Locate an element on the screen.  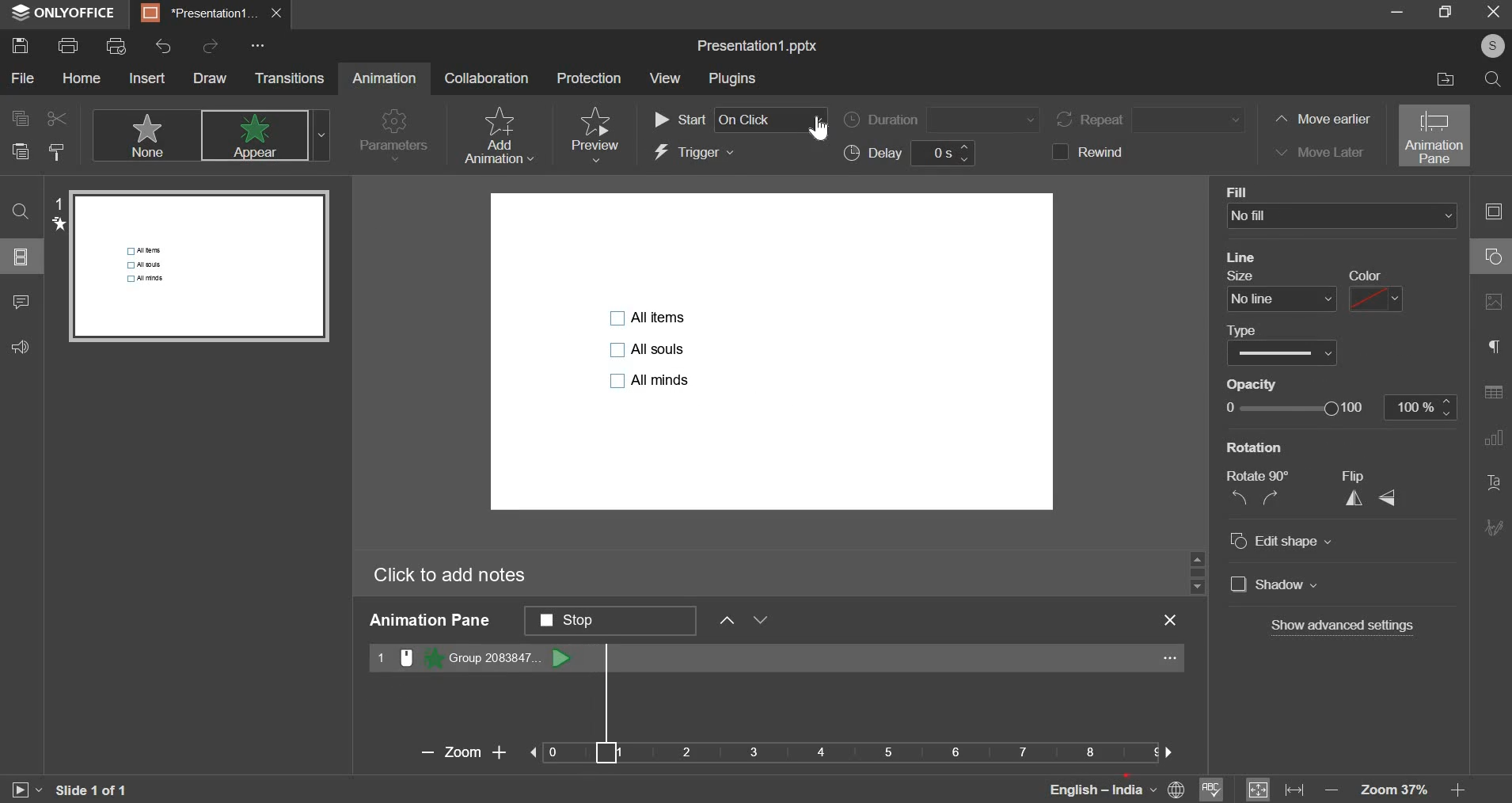
onlyoffice is located at coordinates (65, 13).